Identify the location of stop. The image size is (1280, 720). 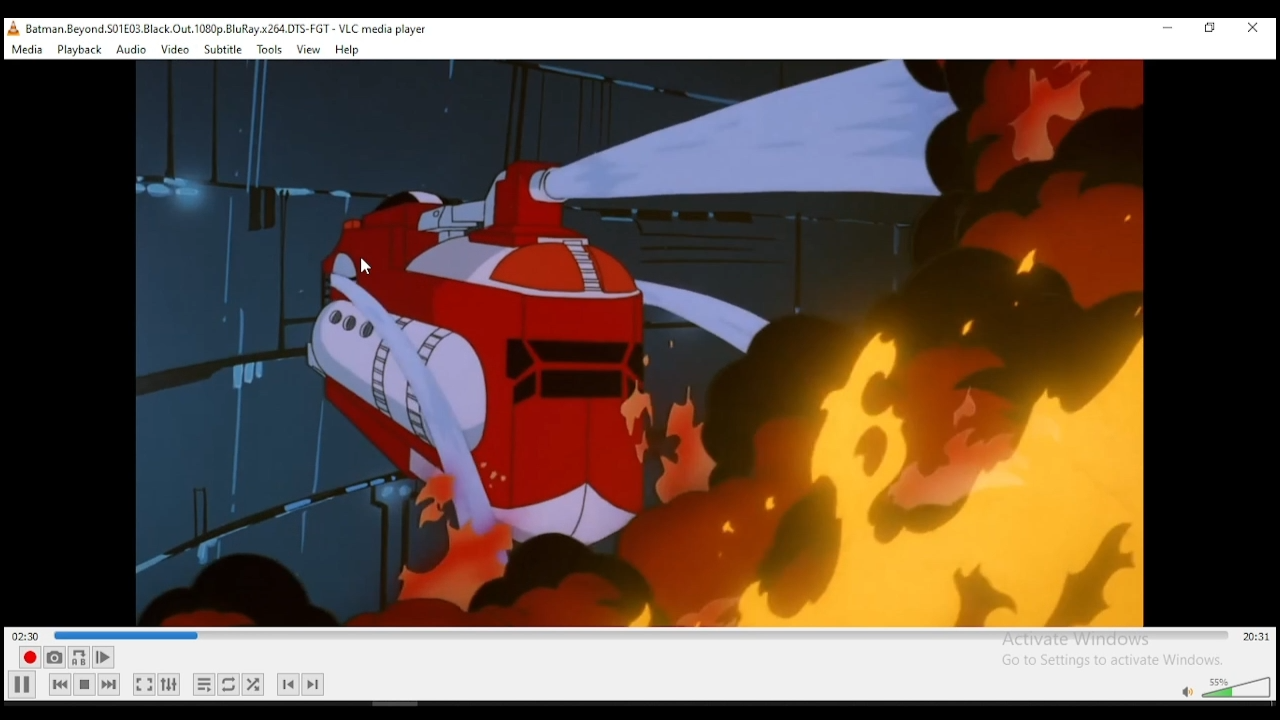
(83, 685).